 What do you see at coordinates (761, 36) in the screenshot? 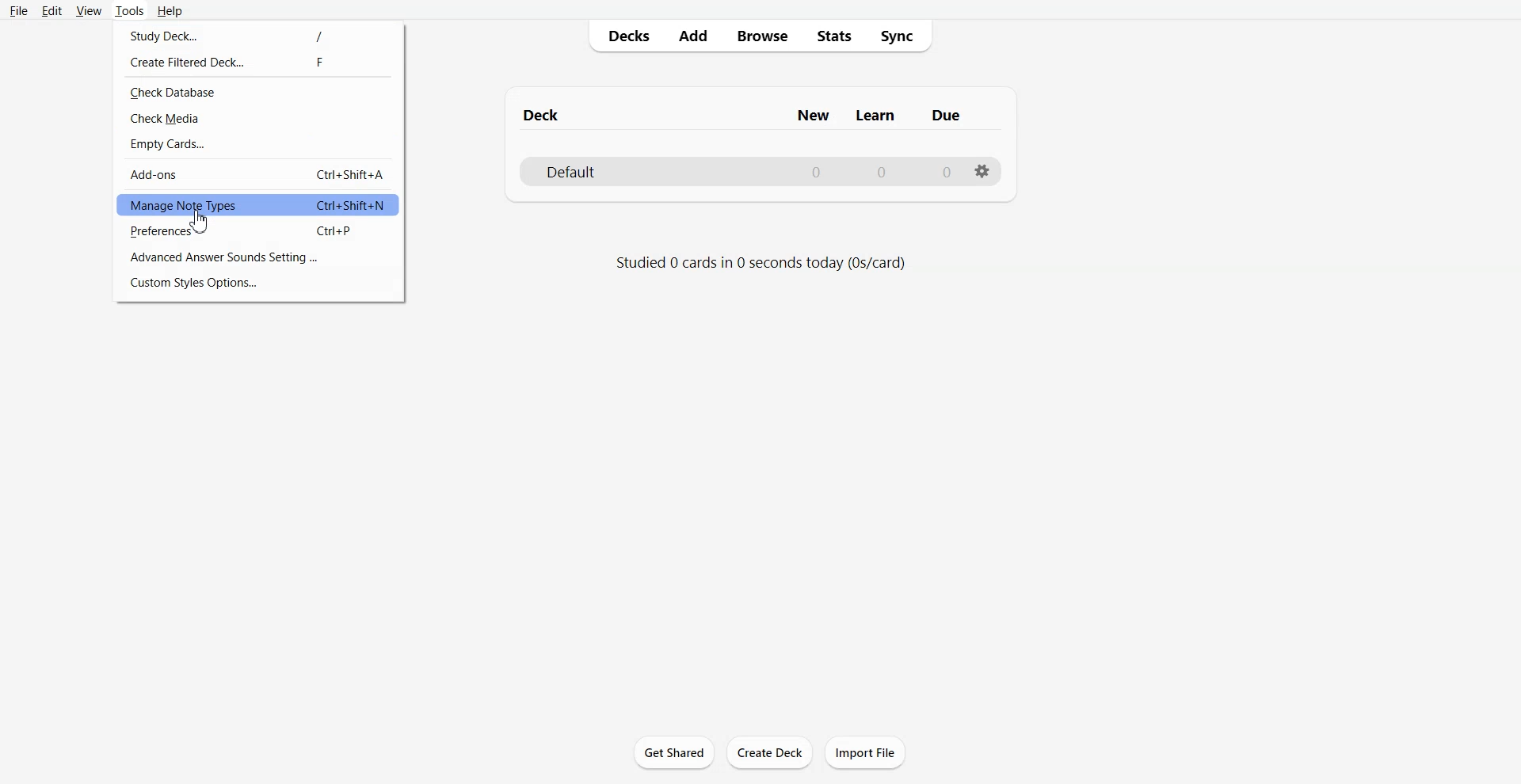
I see `Browse` at bounding box center [761, 36].